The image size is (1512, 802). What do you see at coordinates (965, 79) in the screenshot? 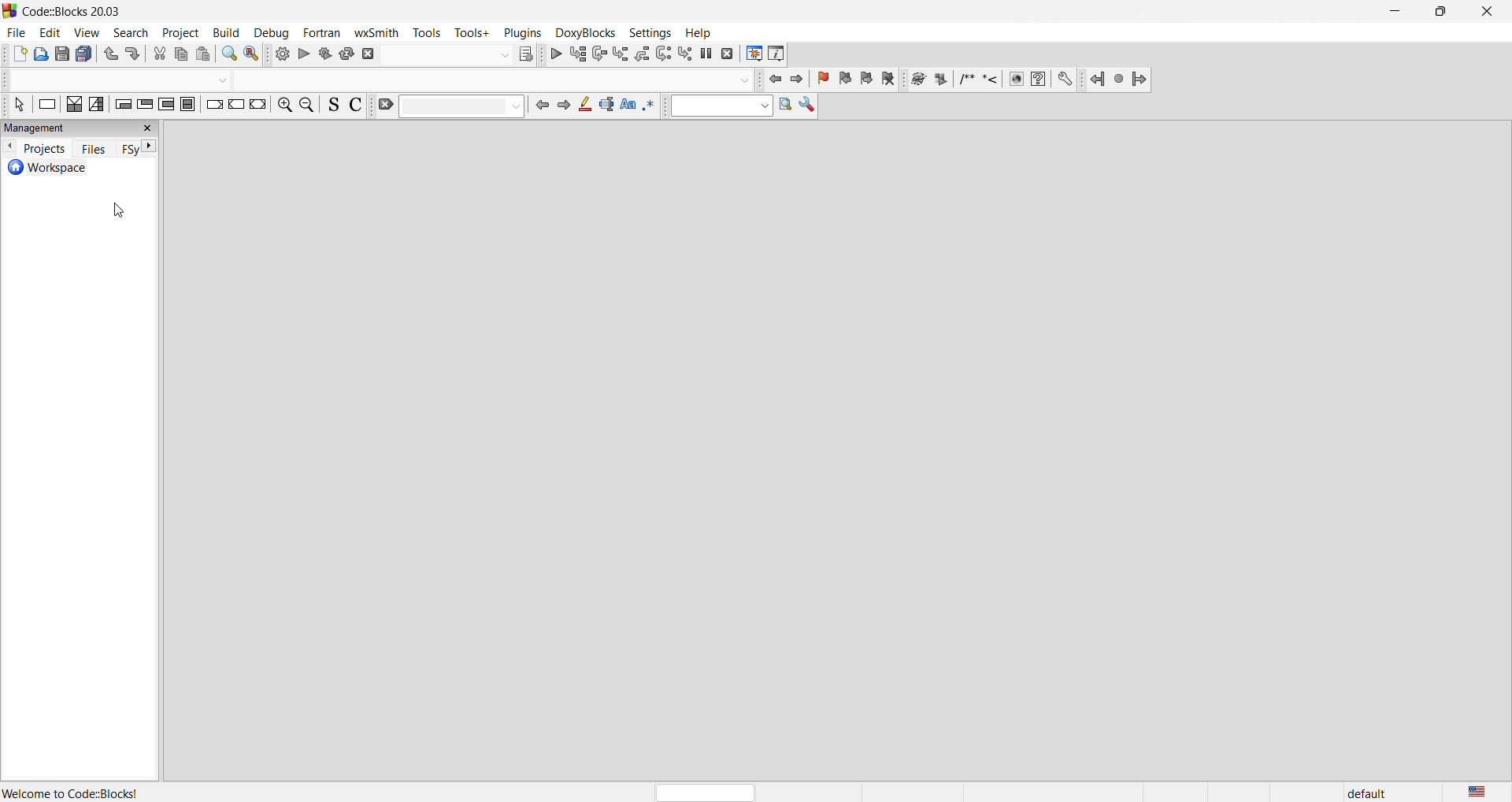
I see `Insert comment block` at bounding box center [965, 79].